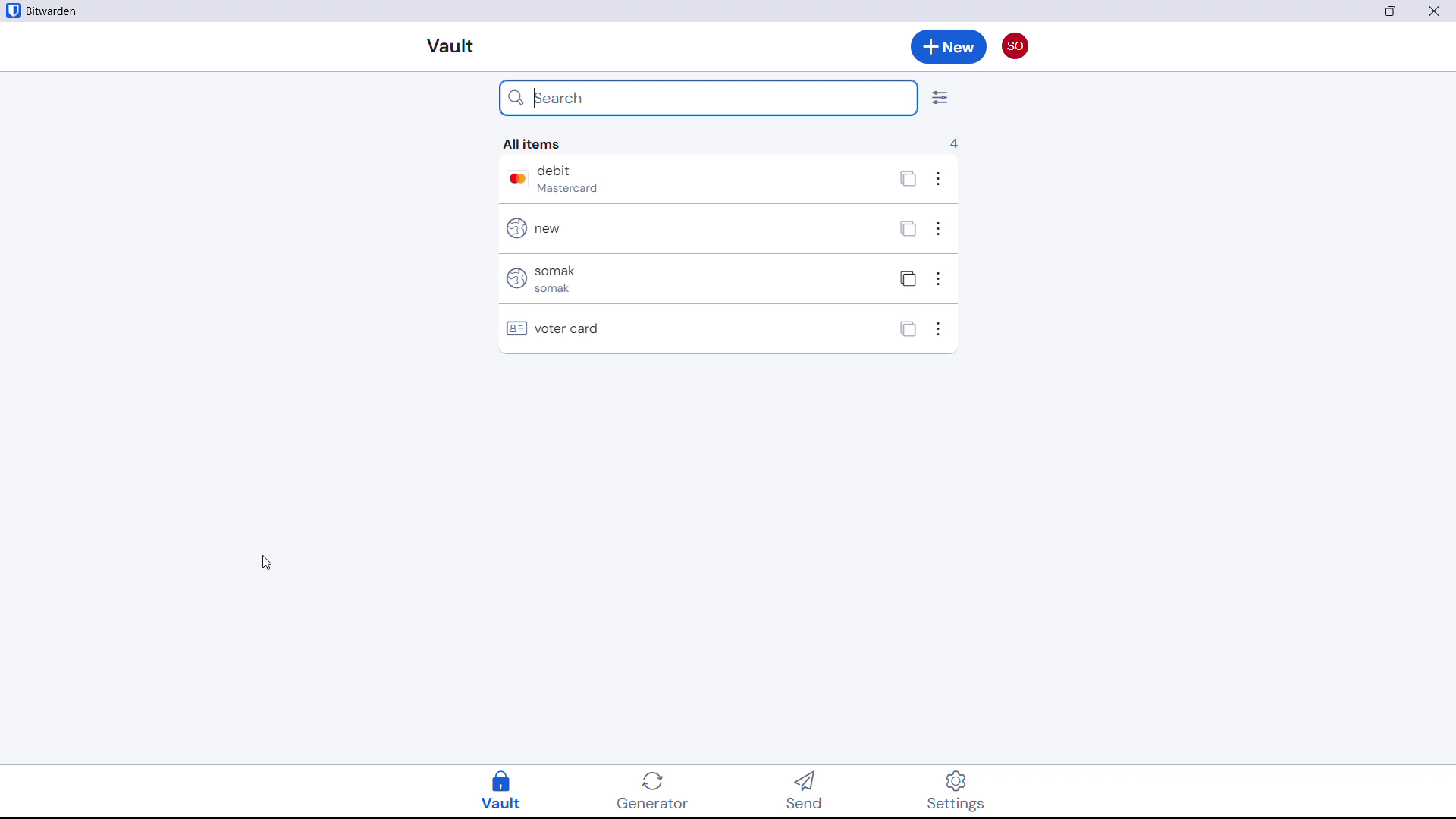 The image size is (1456, 819). Describe the element at coordinates (937, 278) in the screenshot. I see `option for "somak"` at that location.